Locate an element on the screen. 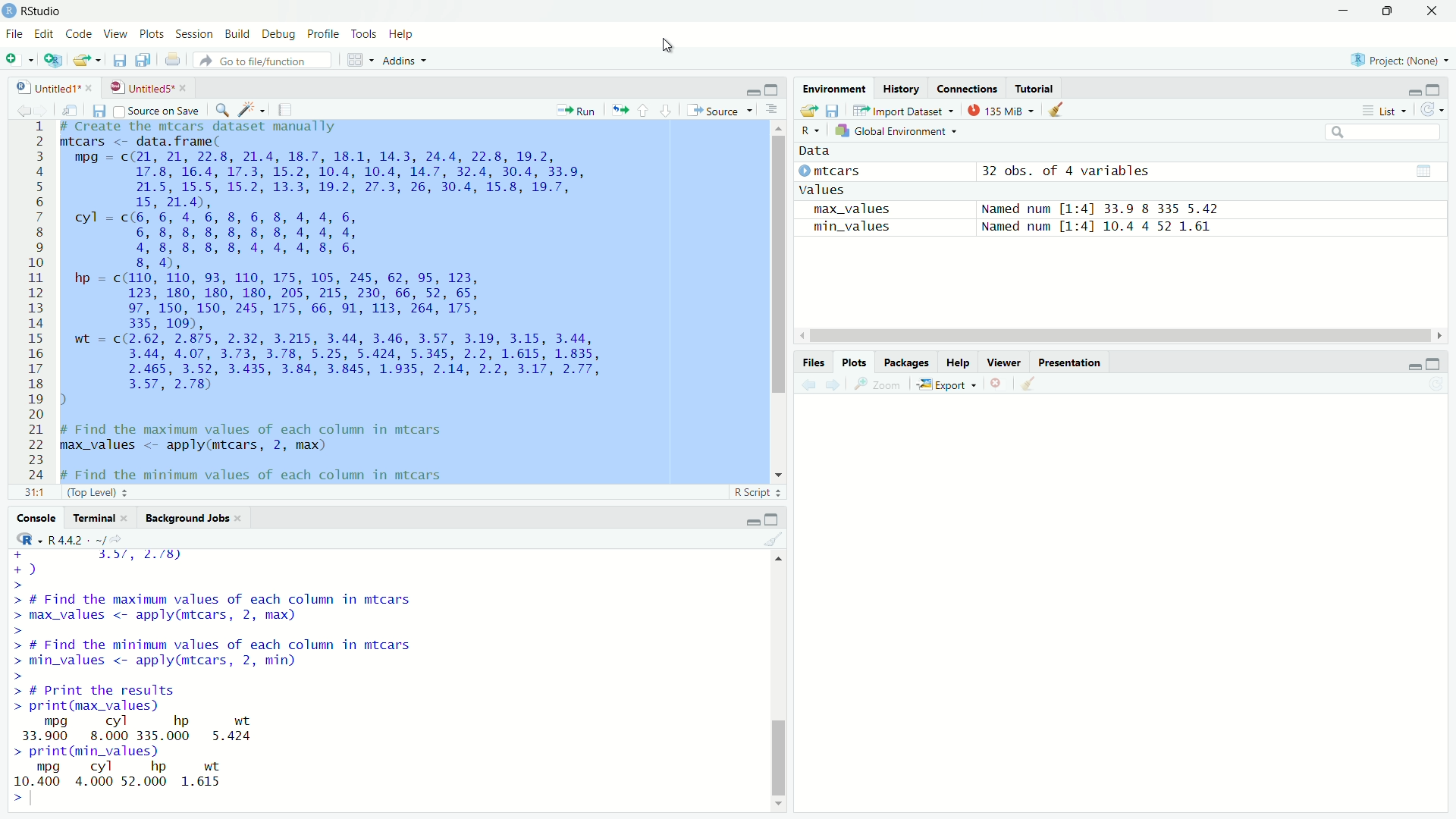 The image size is (1456, 819). History is located at coordinates (905, 89).